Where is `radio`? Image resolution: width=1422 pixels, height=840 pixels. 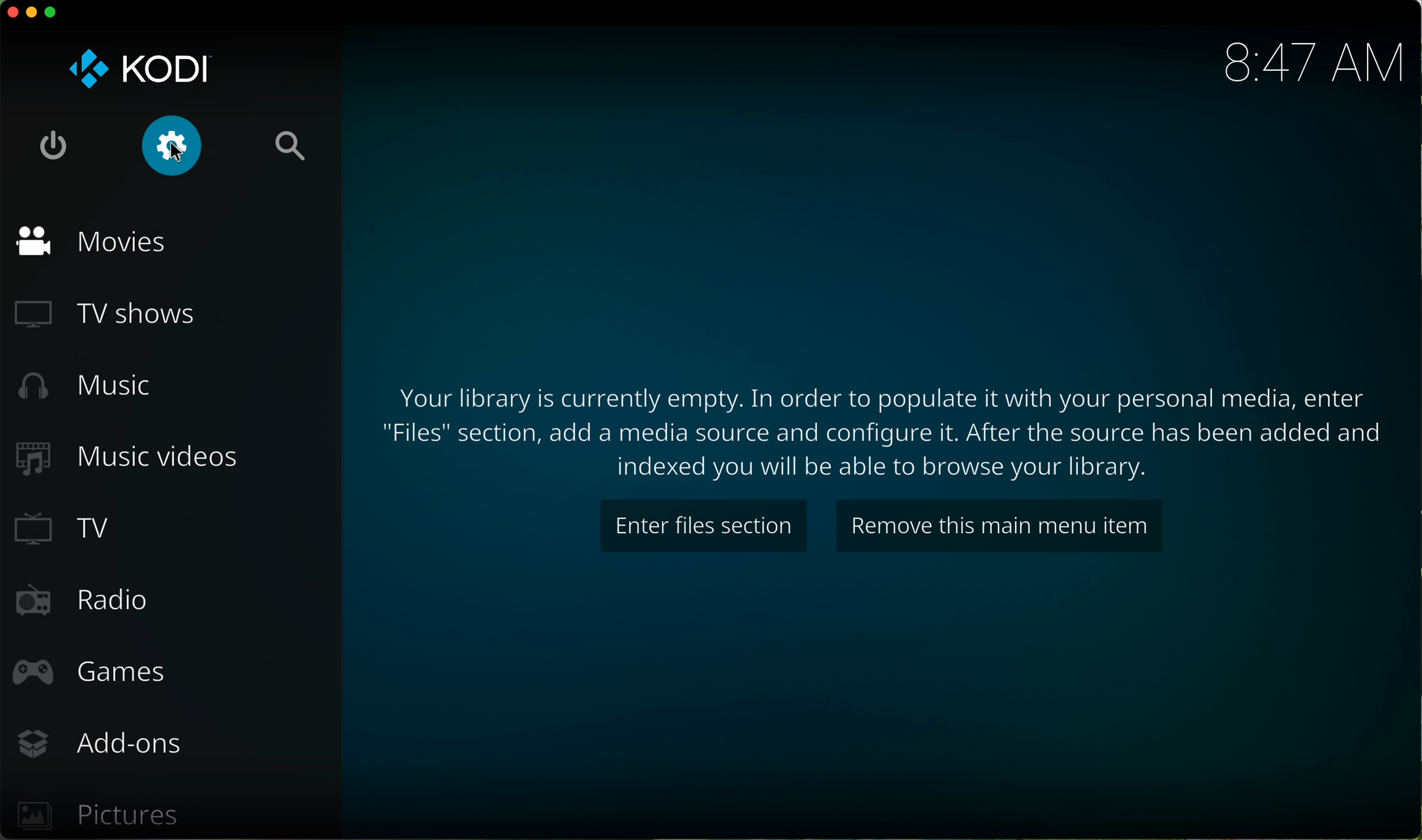 radio is located at coordinates (83, 604).